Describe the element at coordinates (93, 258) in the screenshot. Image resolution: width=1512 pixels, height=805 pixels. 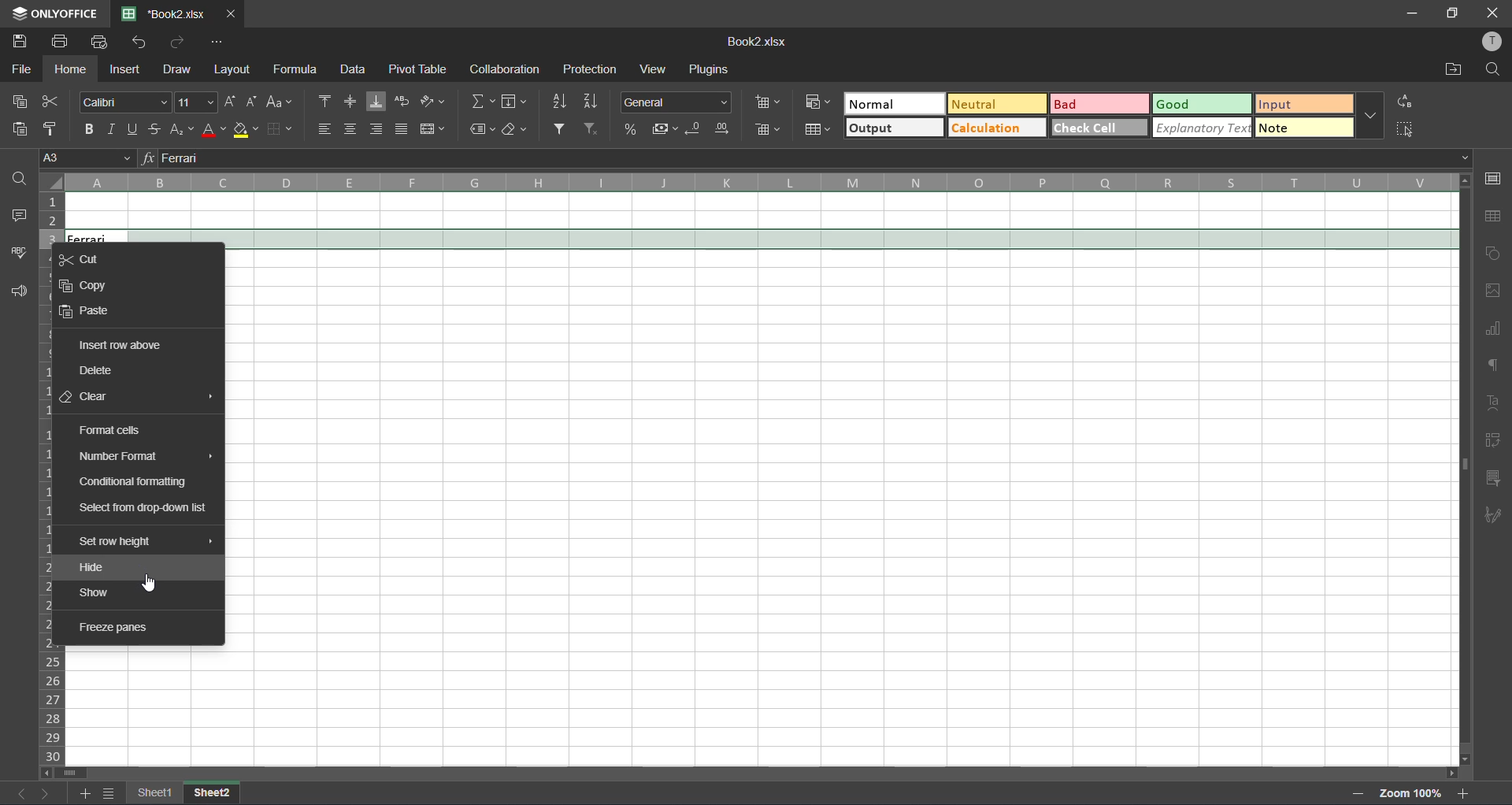
I see `cut` at that location.